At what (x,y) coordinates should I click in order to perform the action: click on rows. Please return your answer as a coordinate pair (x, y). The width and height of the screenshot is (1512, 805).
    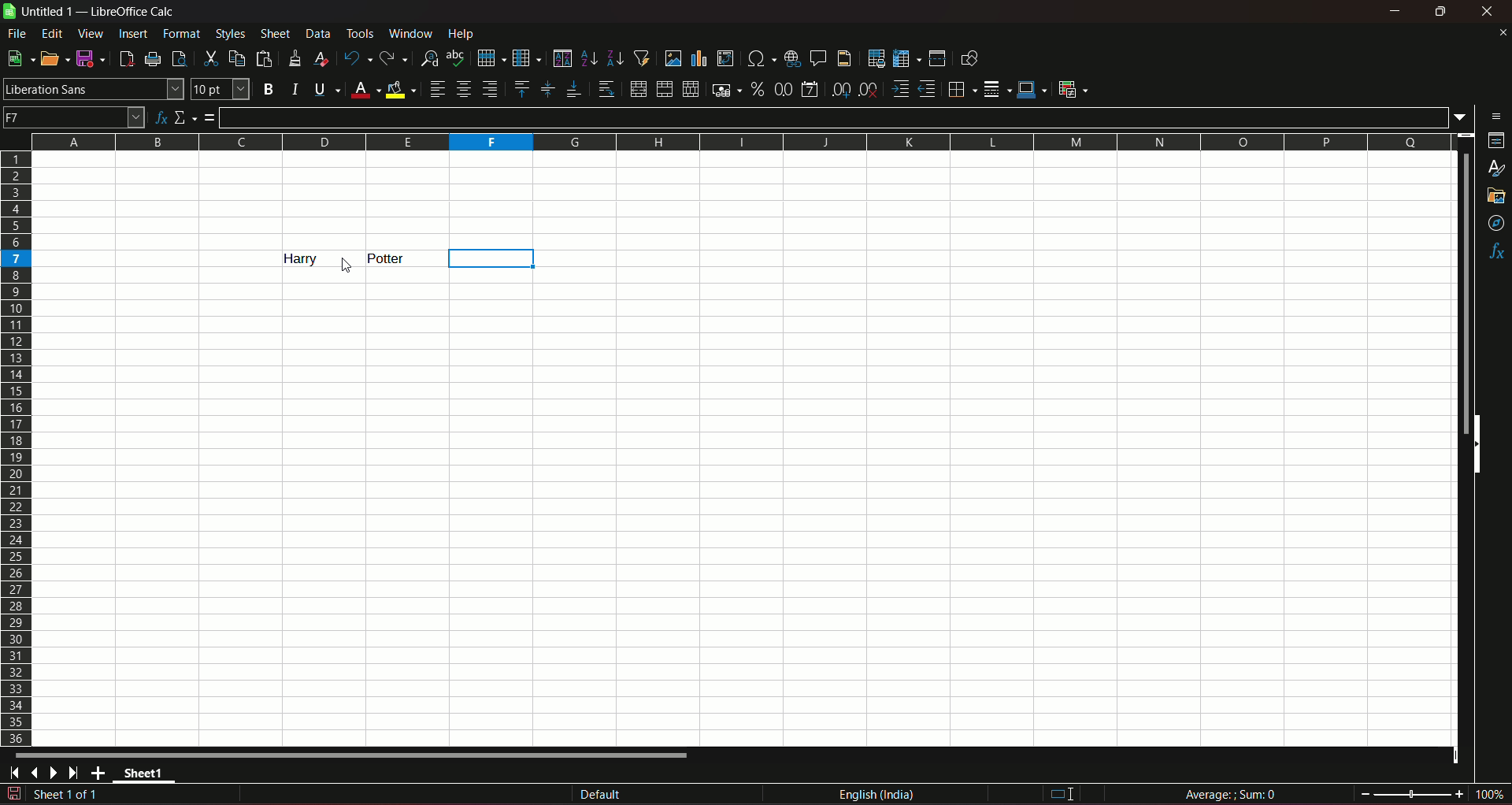
    Looking at the image, I should click on (17, 447).